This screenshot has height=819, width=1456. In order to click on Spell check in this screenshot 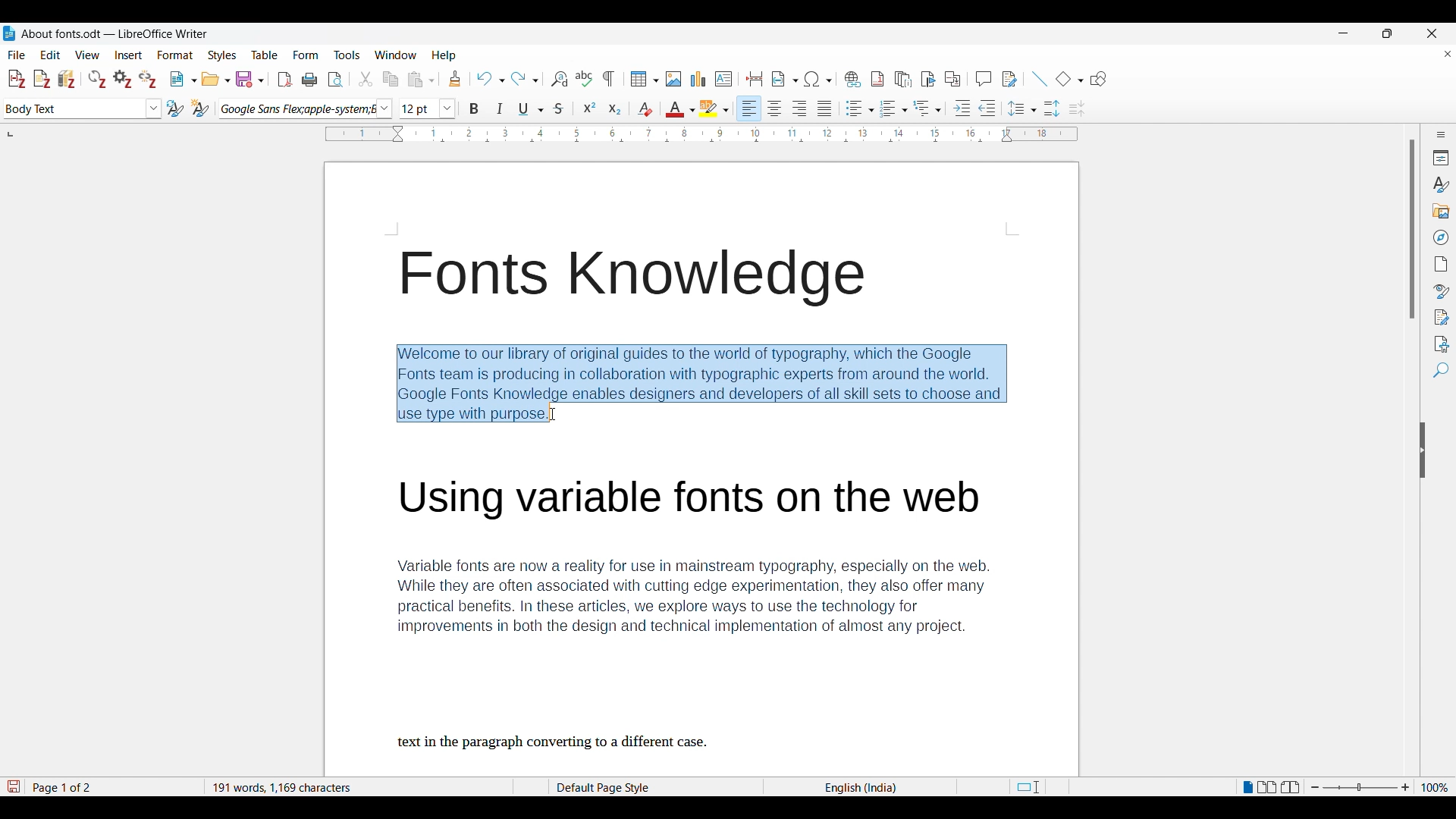, I will do `click(584, 78)`.